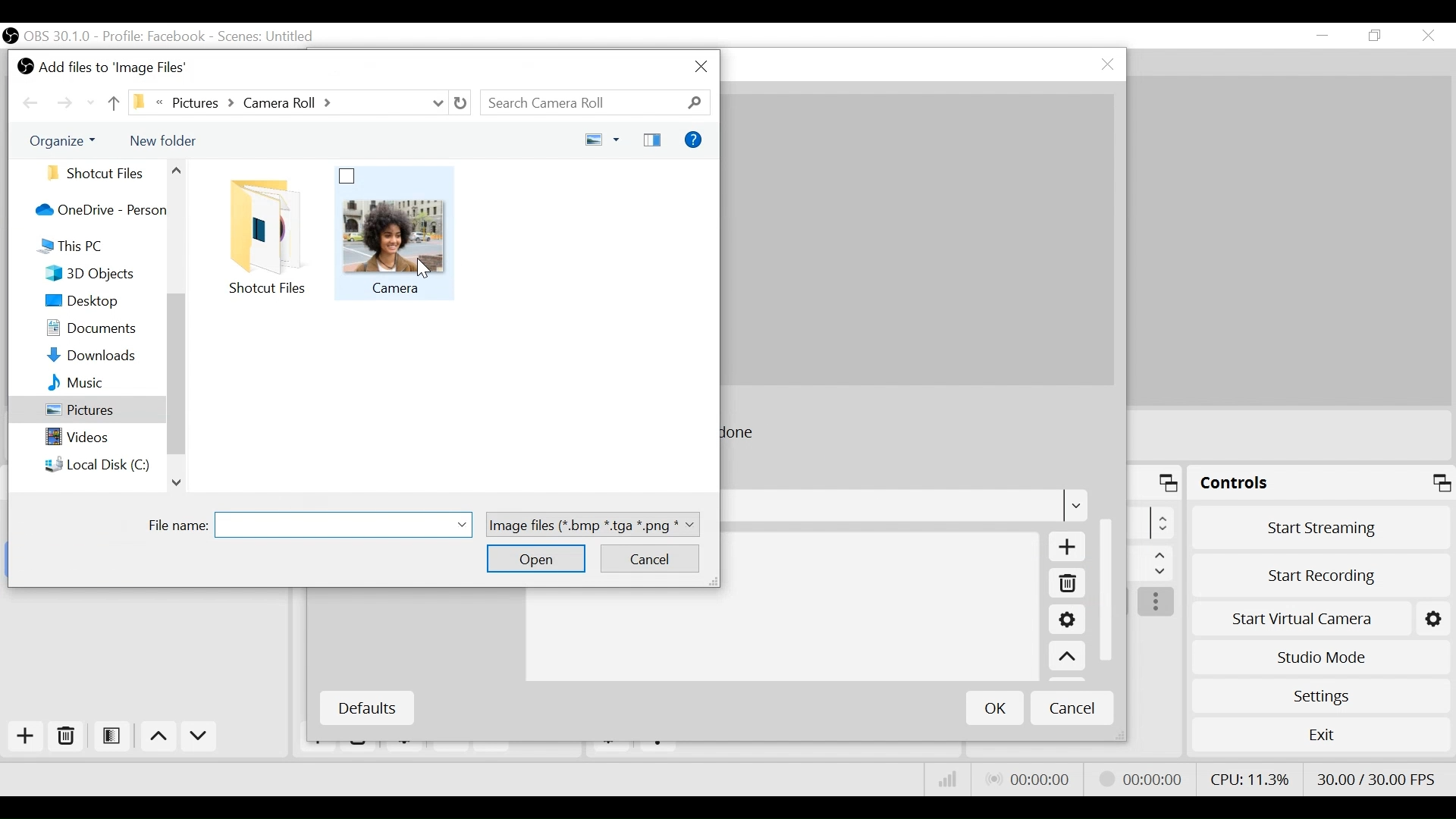 The image size is (1456, 819). Describe the element at coordinates (1326, 36) in the screenshot. I see `minimize` at that location.